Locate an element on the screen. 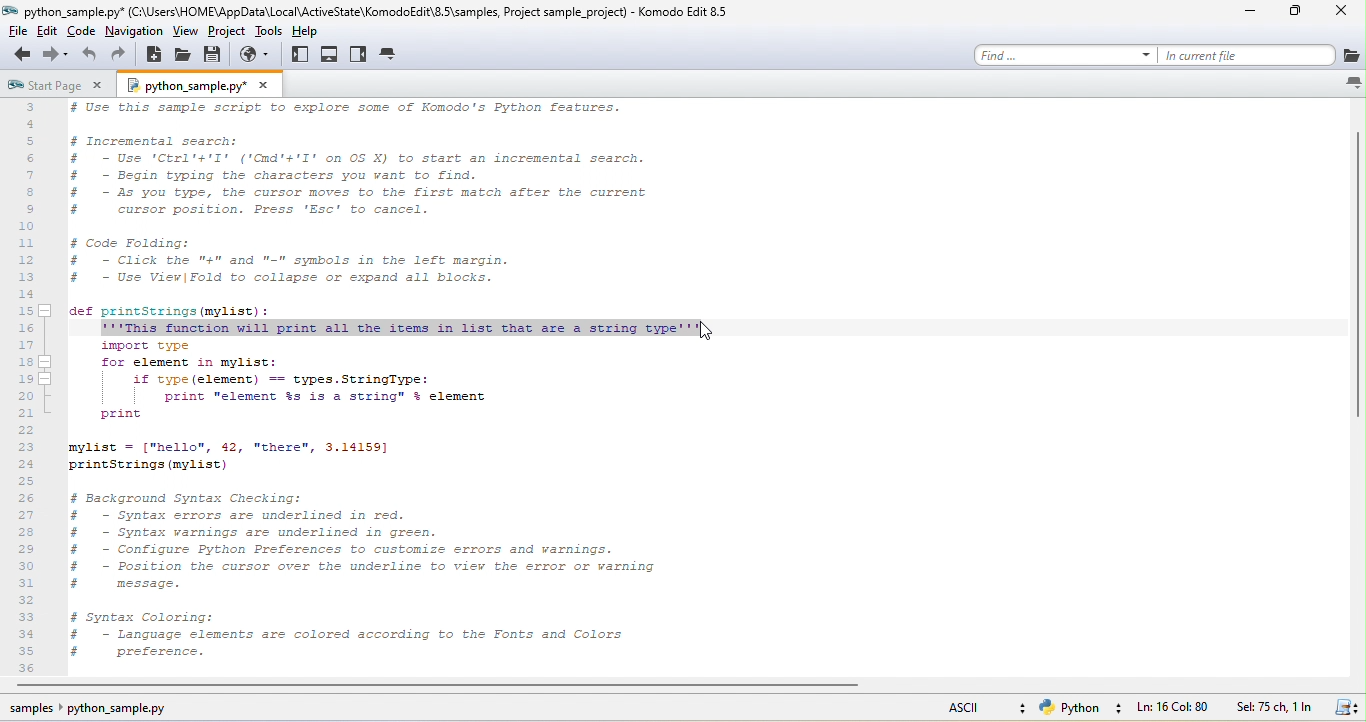 The height and width of the screenshot is (722, 1366). code text is located at coordinates (367, 503).